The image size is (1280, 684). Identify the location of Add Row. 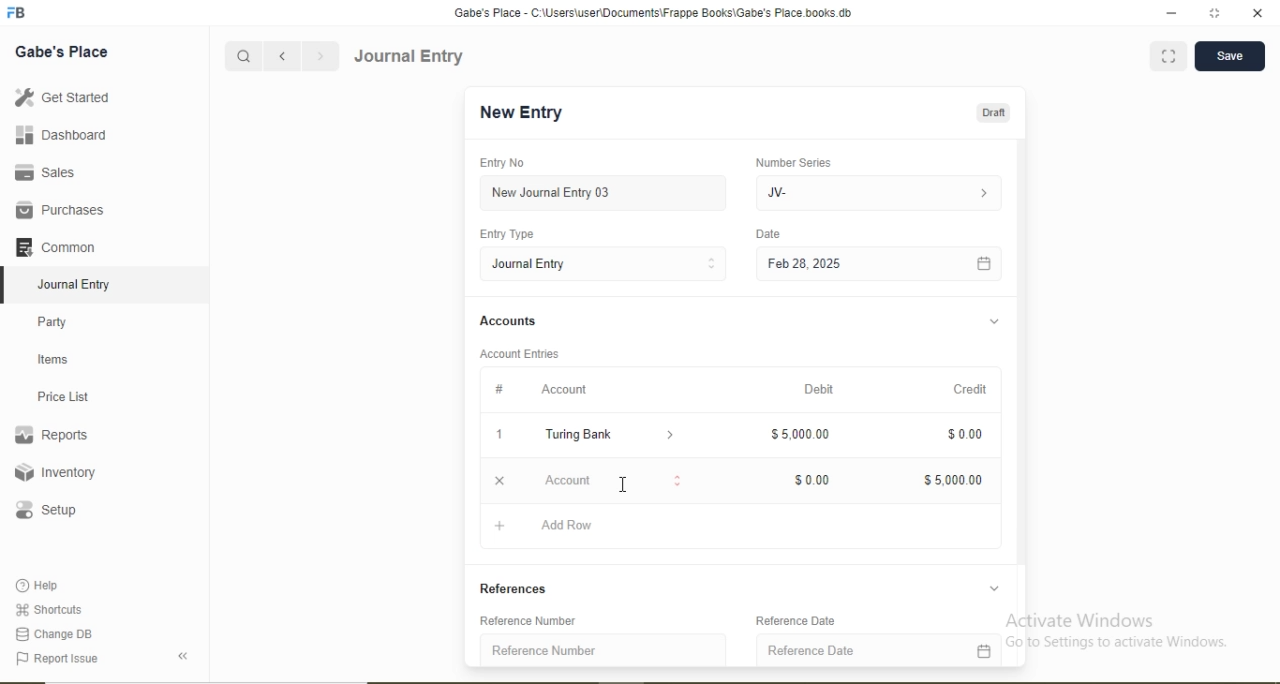
(567, 525).